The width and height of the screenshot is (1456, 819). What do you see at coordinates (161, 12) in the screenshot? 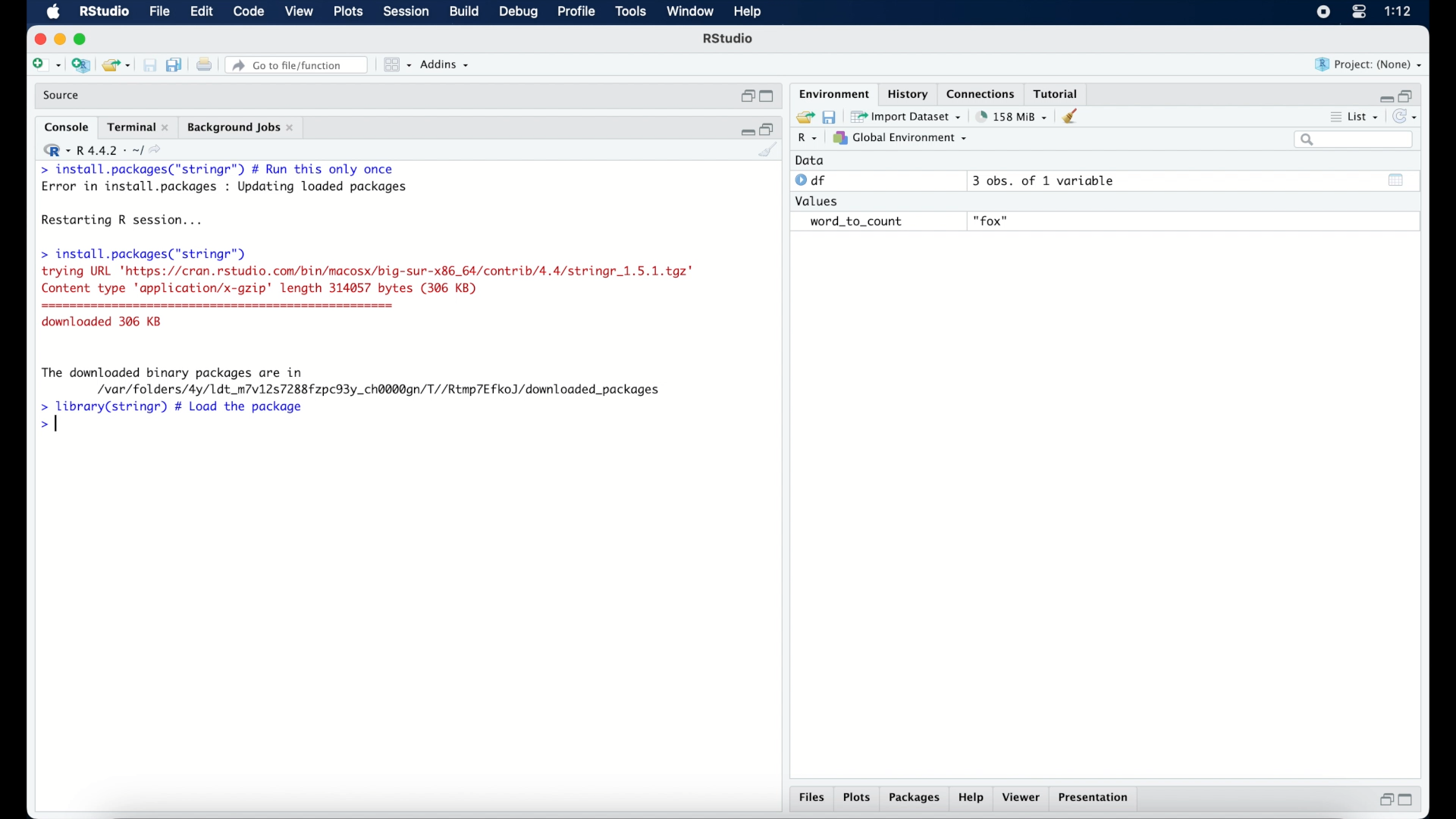
I see `file` at bounding box center [161, 12].